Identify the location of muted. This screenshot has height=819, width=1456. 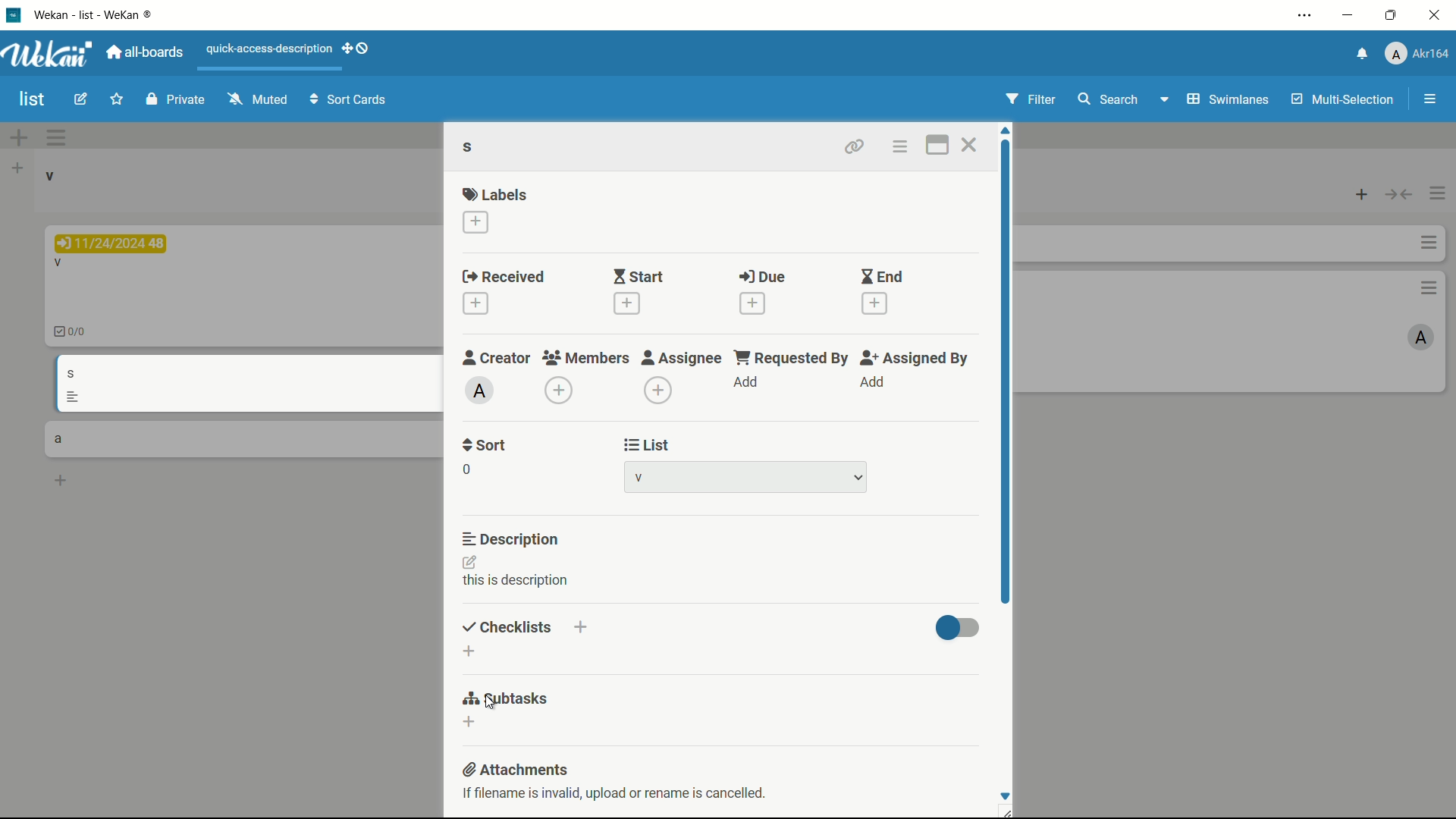
(257, 99).